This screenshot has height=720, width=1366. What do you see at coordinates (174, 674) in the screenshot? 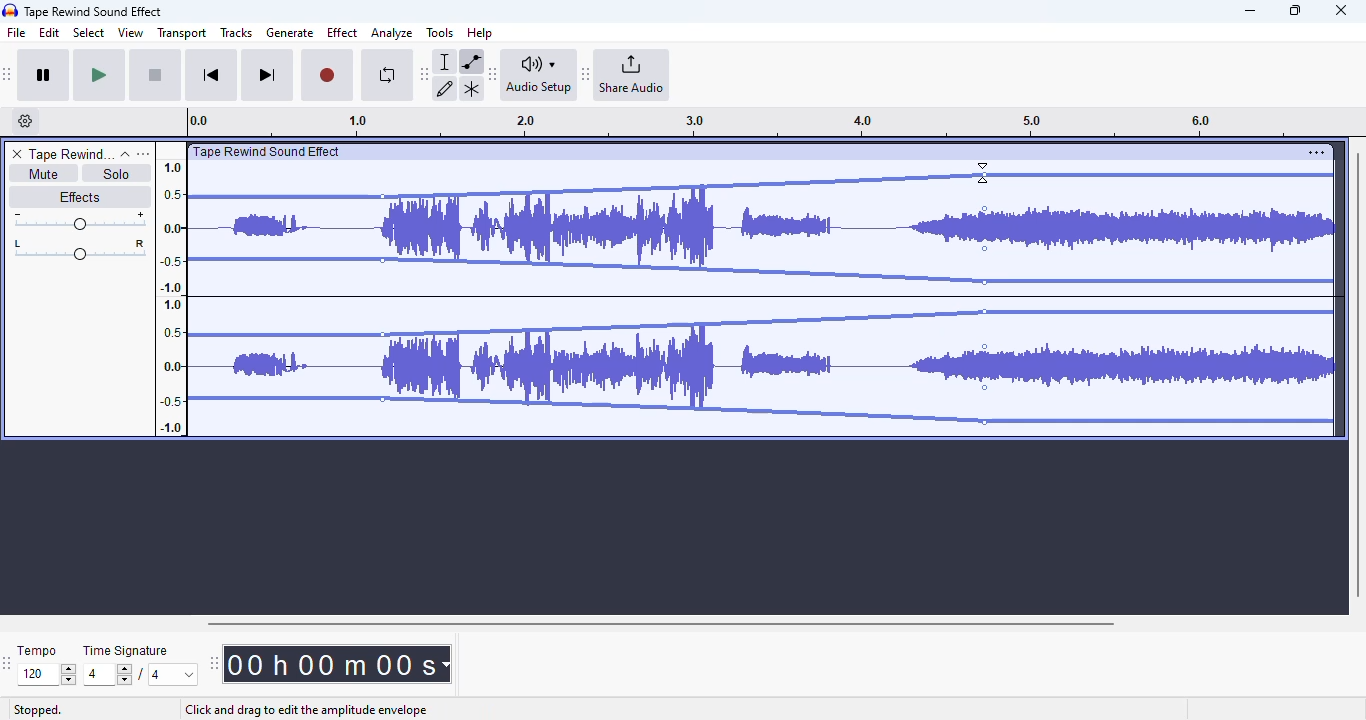
I see `Max. time signature options` at bounding box center [174, 674].